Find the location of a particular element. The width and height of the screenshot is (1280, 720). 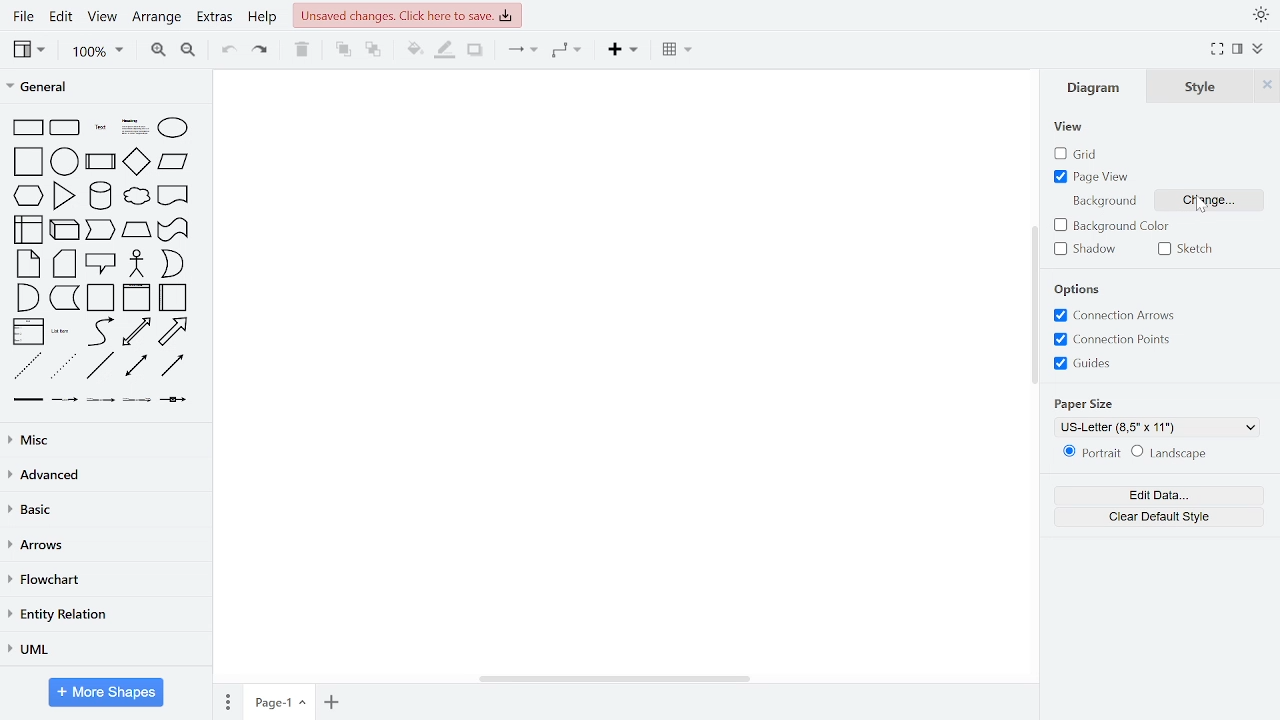

general shapes is located at coordinates (29, 227).